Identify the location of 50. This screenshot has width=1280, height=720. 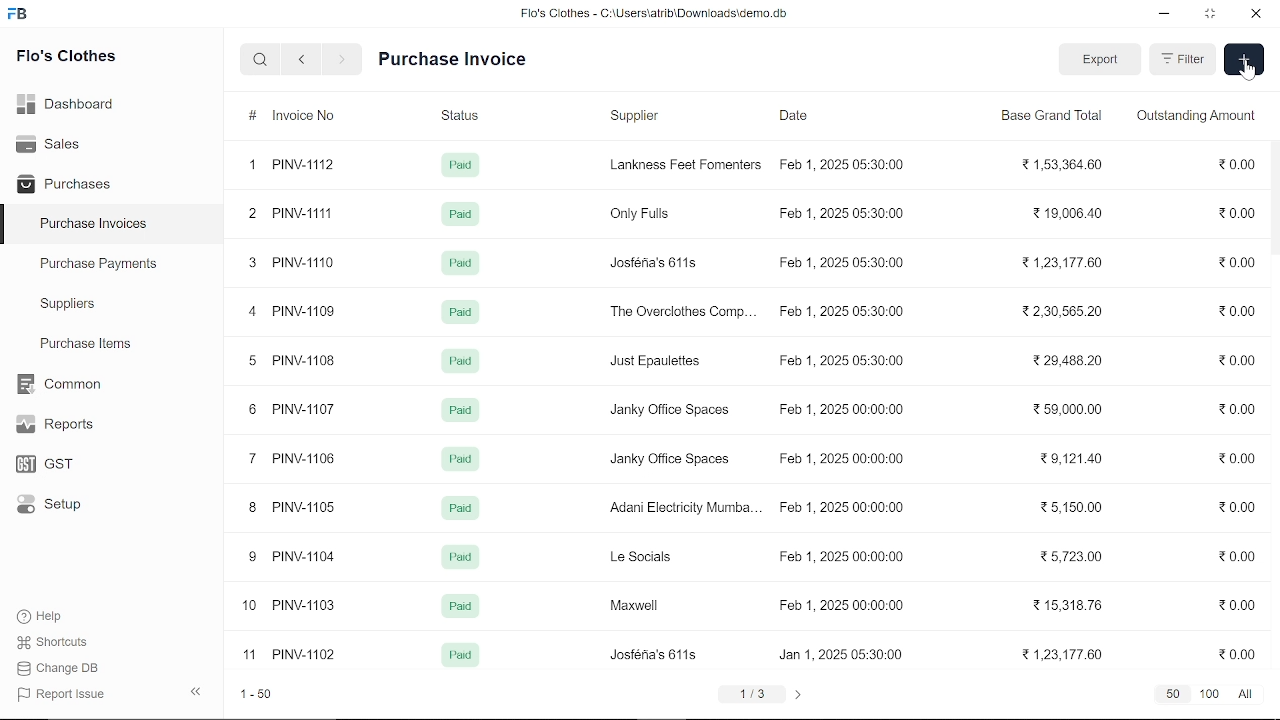
(1171, 694).